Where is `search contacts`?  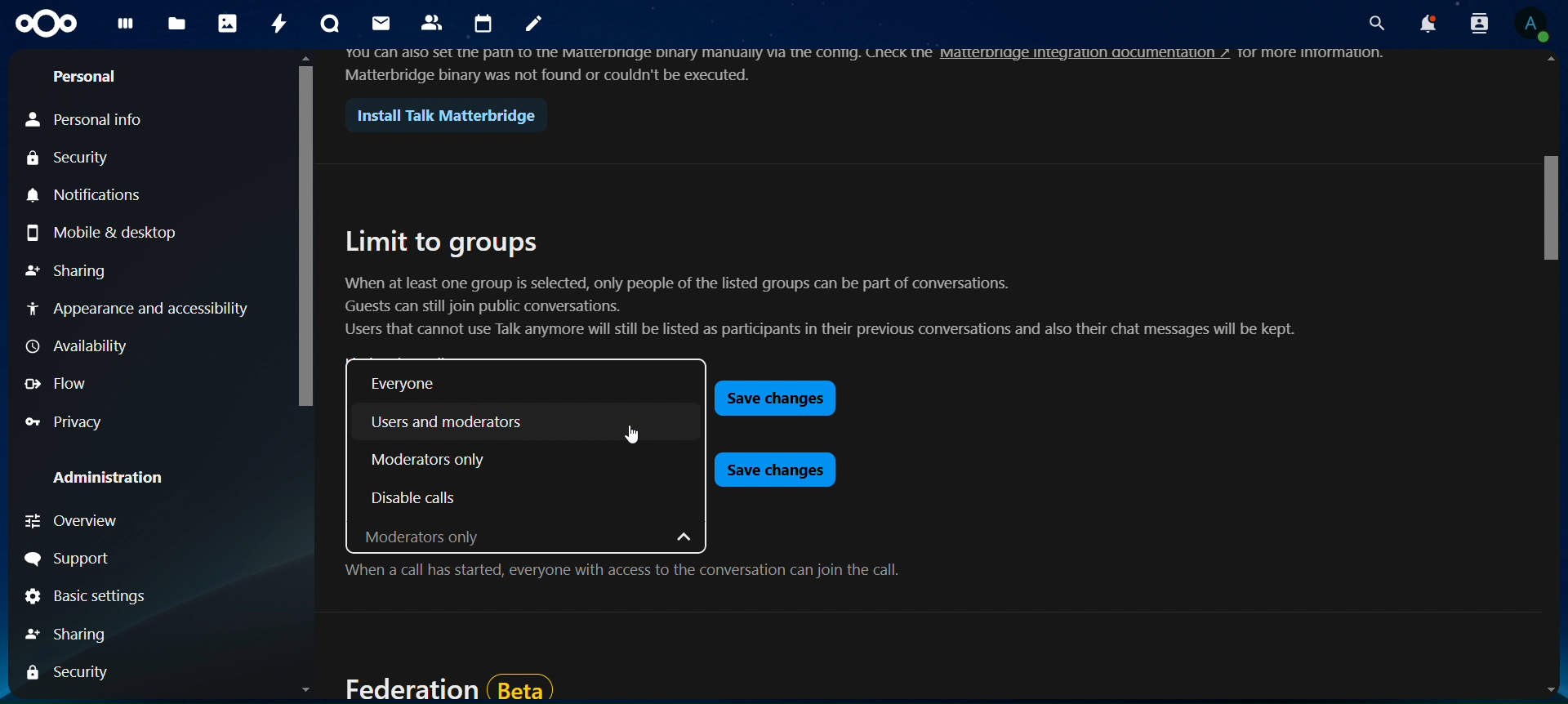
search contacts is located at coordinates (1474, 23).